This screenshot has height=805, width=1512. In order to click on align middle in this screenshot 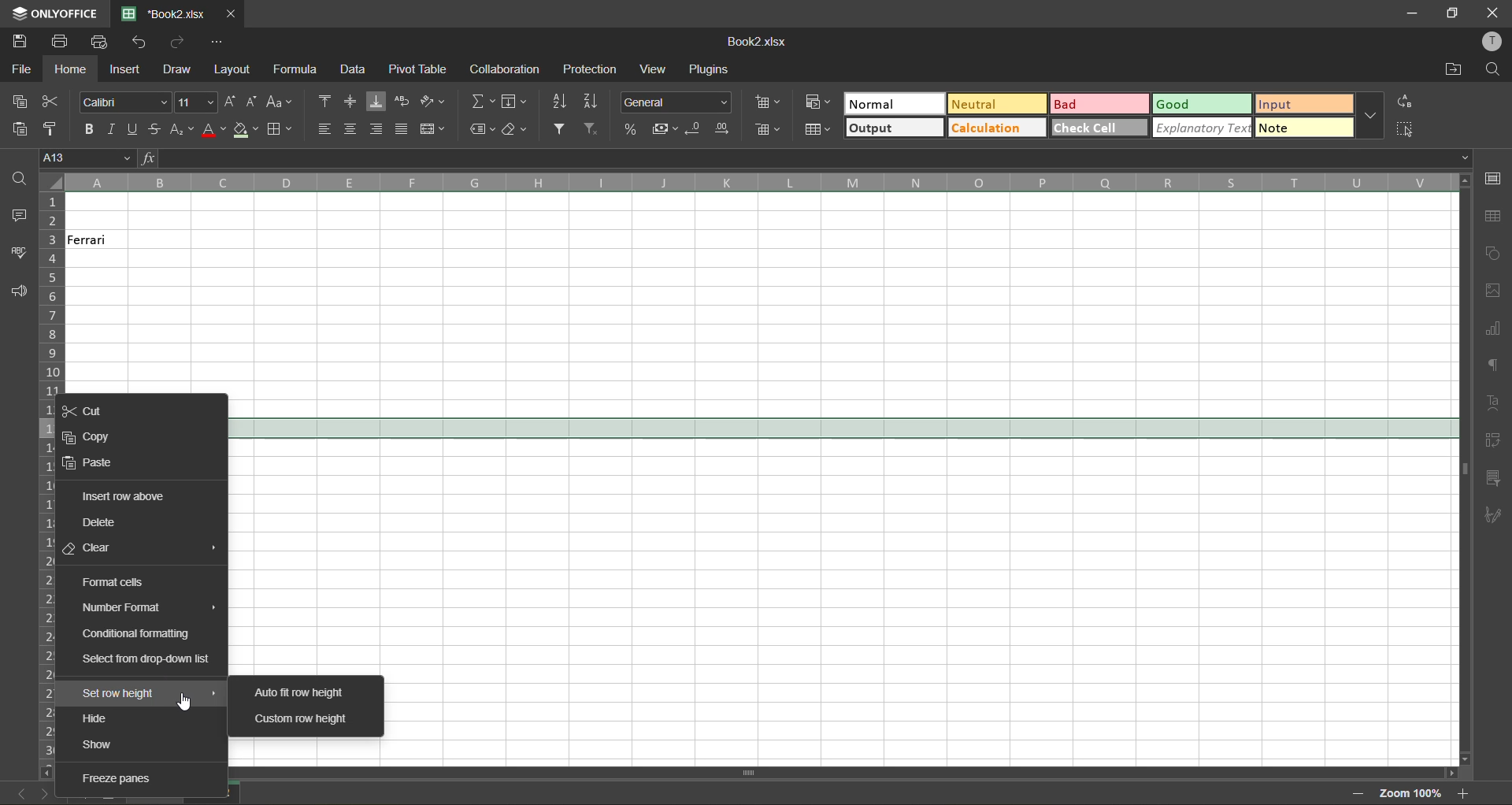, I will do `click(349, 100)`.